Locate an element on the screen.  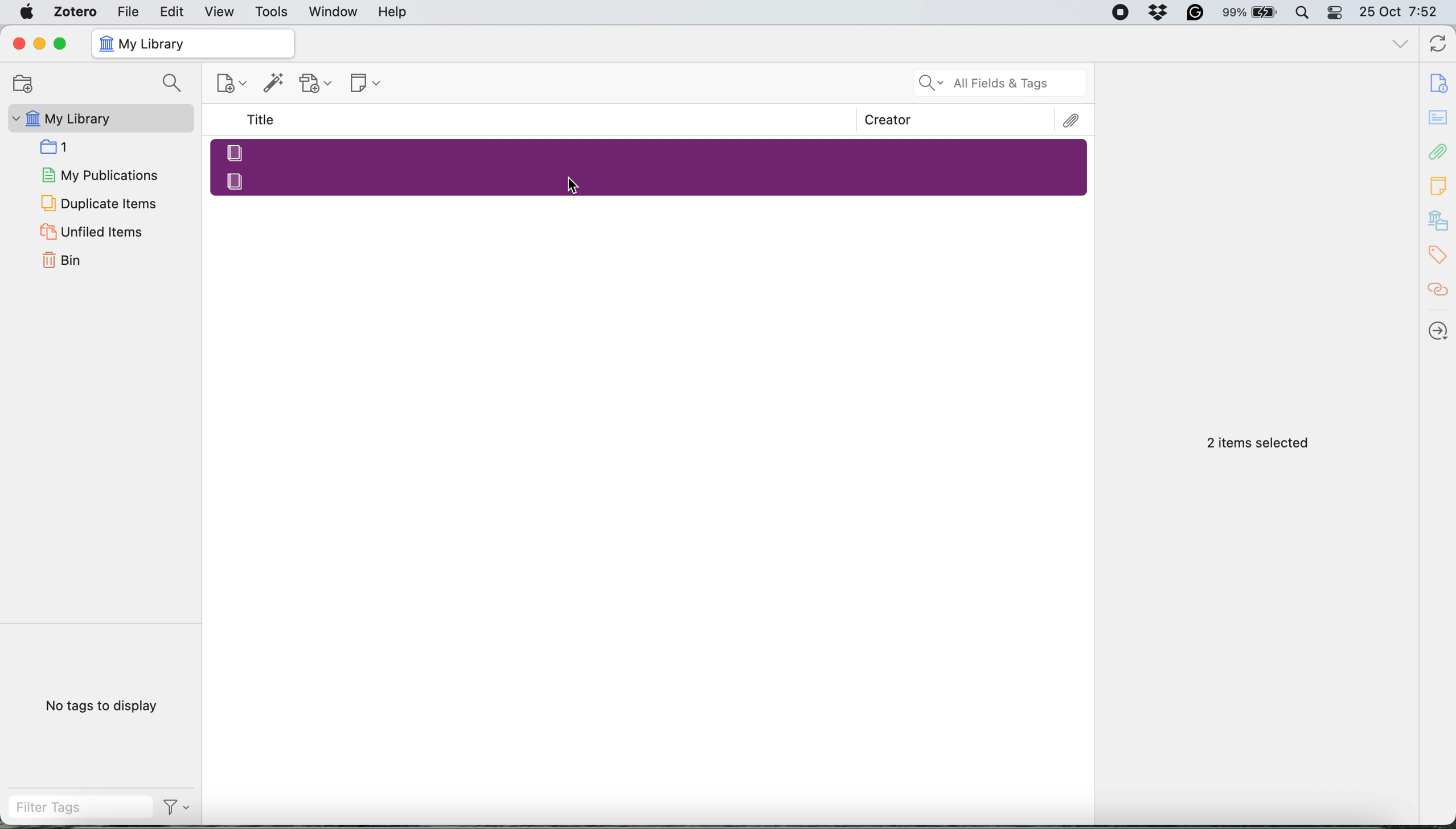
1 is located at coordinates (59, 146).